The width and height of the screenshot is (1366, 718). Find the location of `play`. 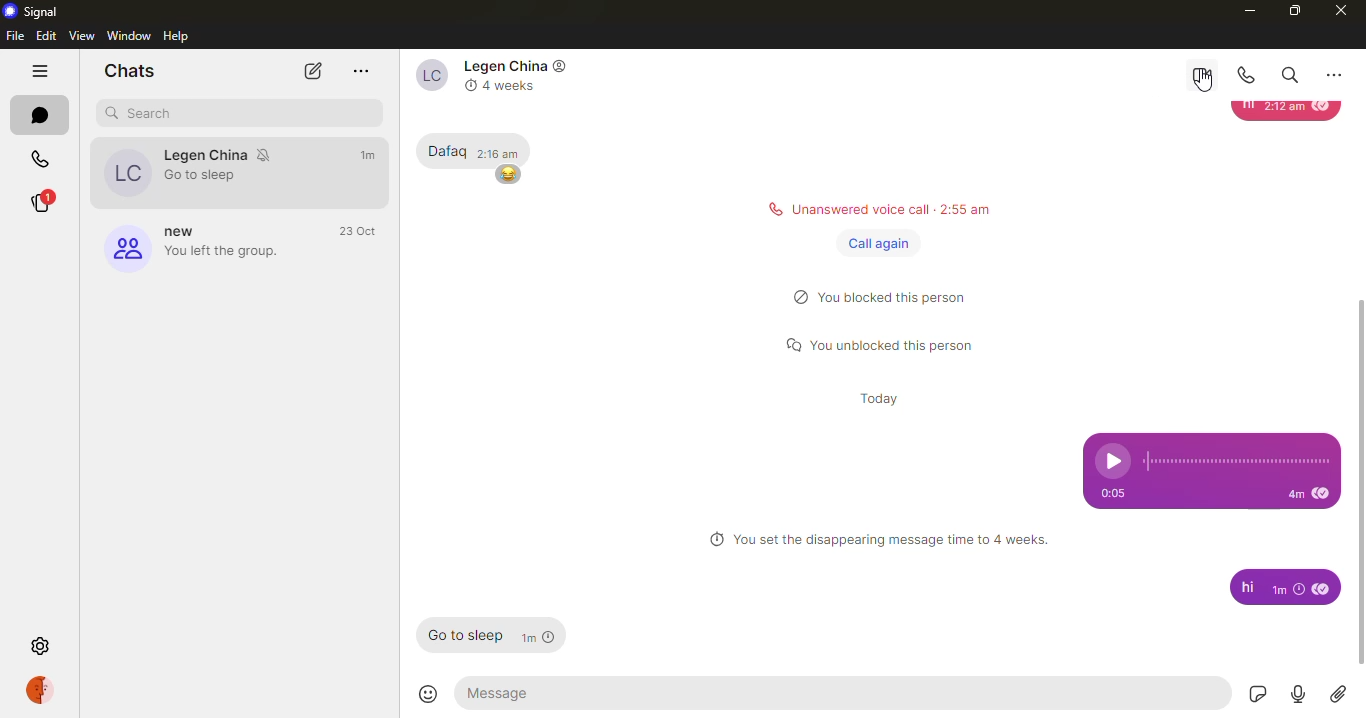

play is located at coordinates (1114, 460).